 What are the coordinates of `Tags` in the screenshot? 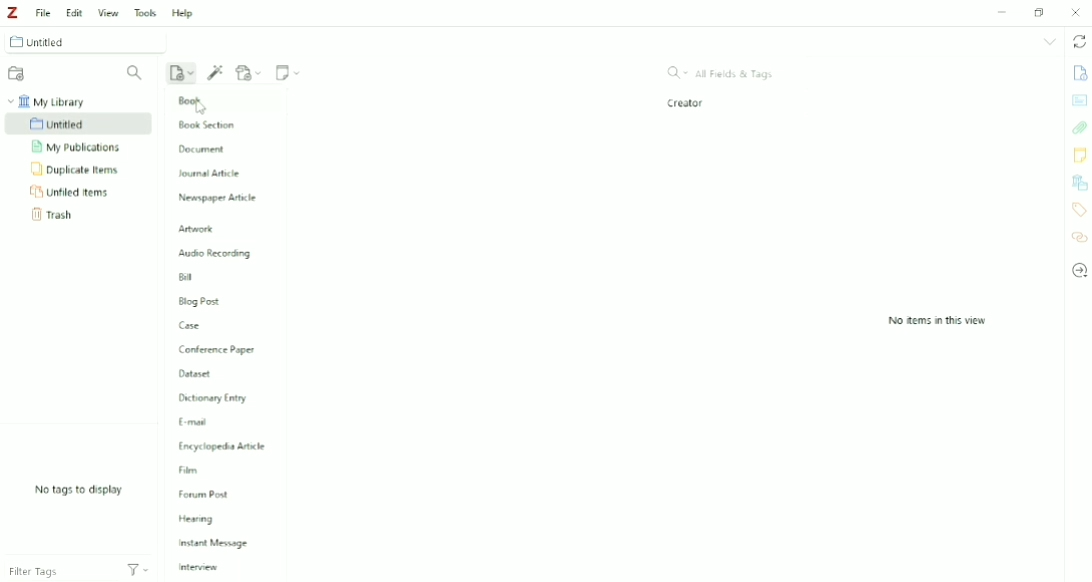 It's located at (1080, 210).